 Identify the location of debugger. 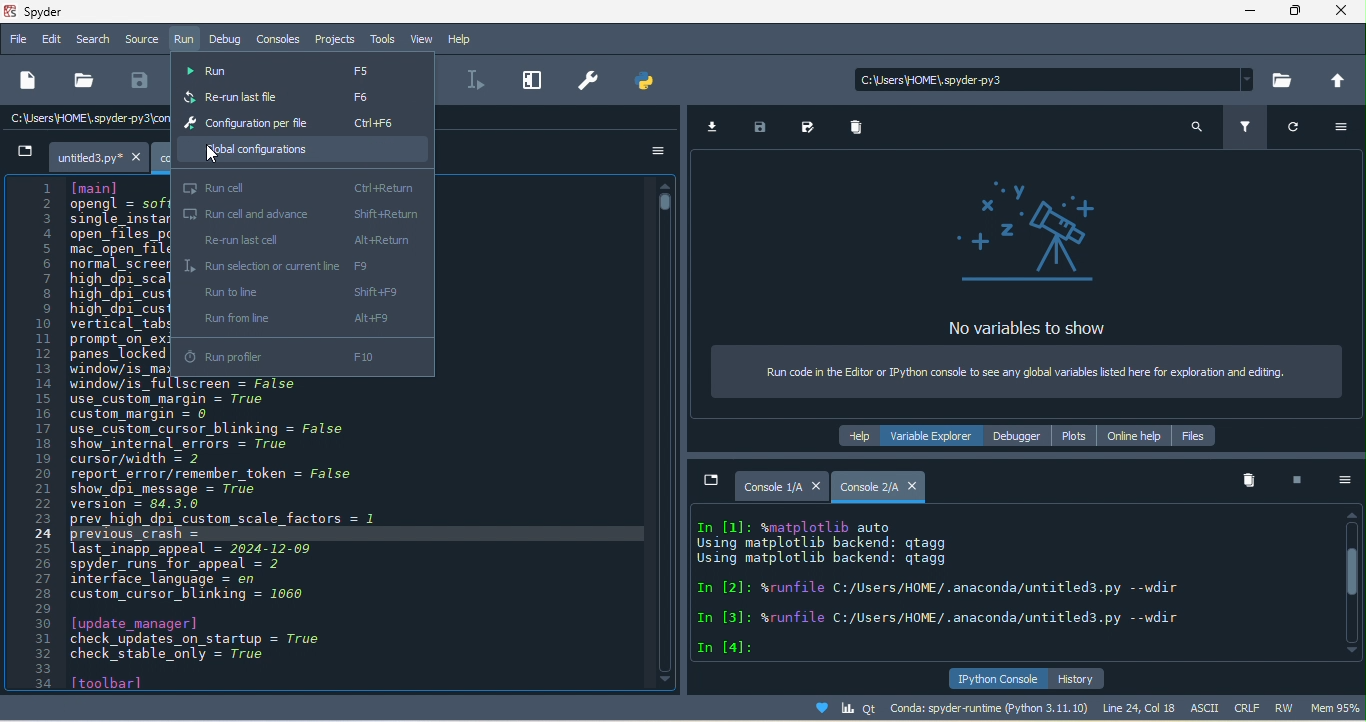
(1016, 436).